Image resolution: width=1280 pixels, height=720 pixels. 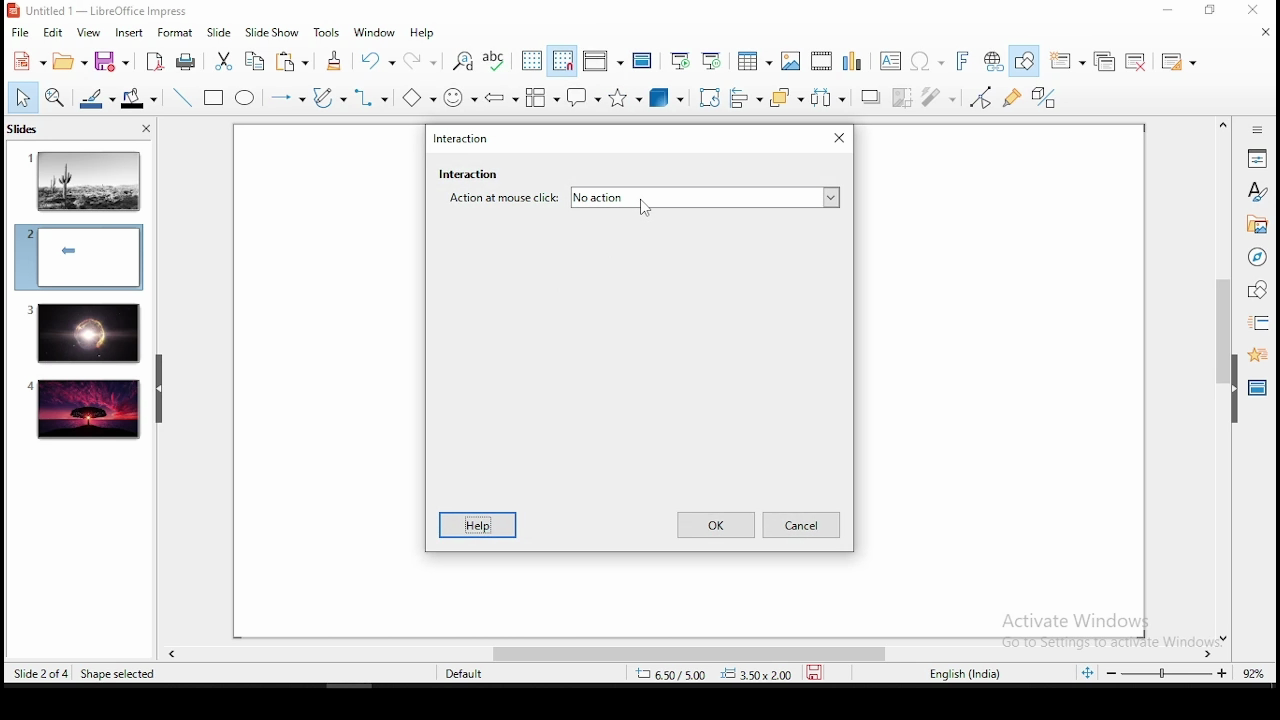 What do you see at coordinates (1255, 129) in the screenshot?
I see `` at bounding box center [1255, 129].